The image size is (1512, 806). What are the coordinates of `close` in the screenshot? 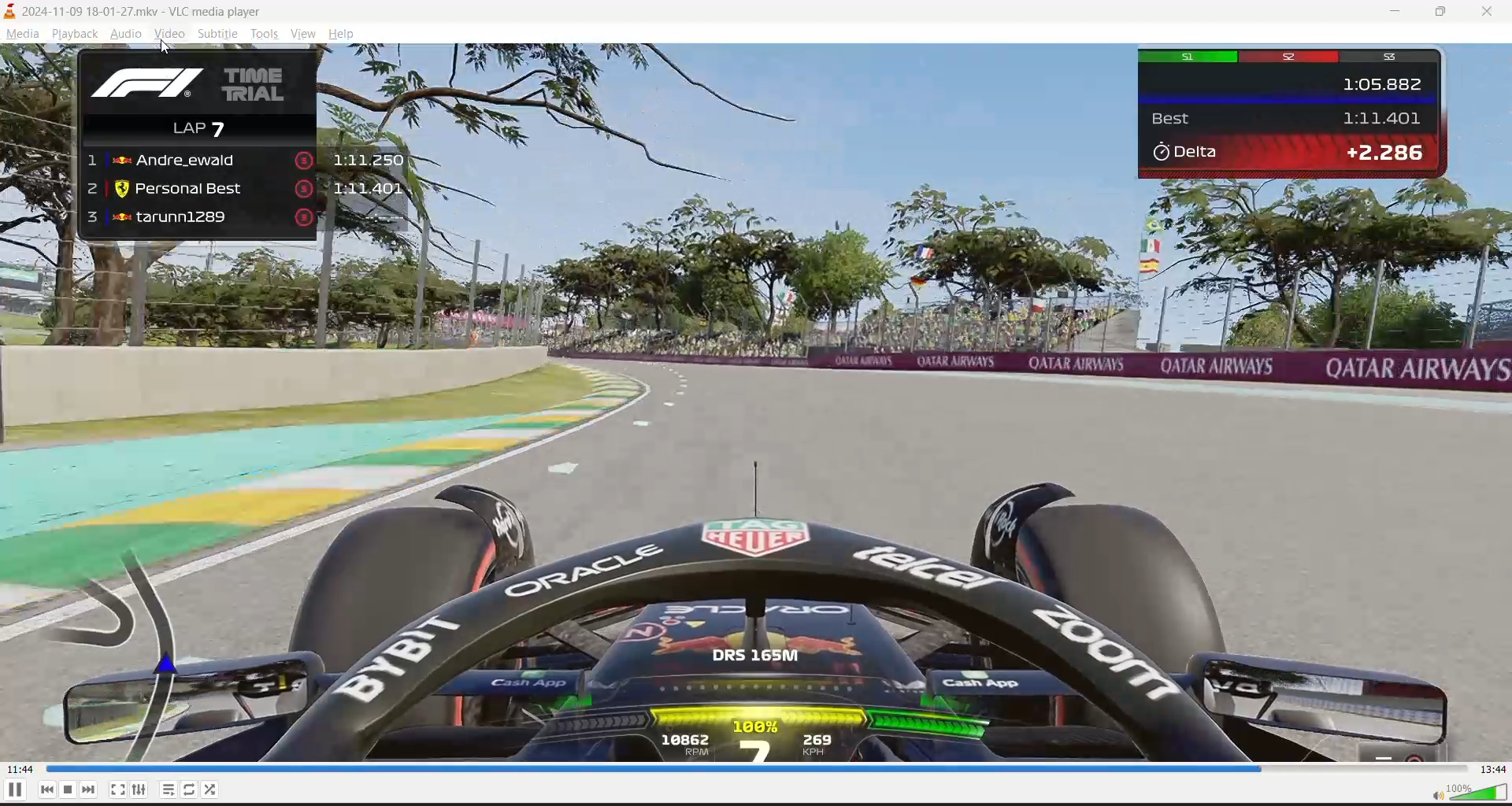 It's located at (1493, 12).